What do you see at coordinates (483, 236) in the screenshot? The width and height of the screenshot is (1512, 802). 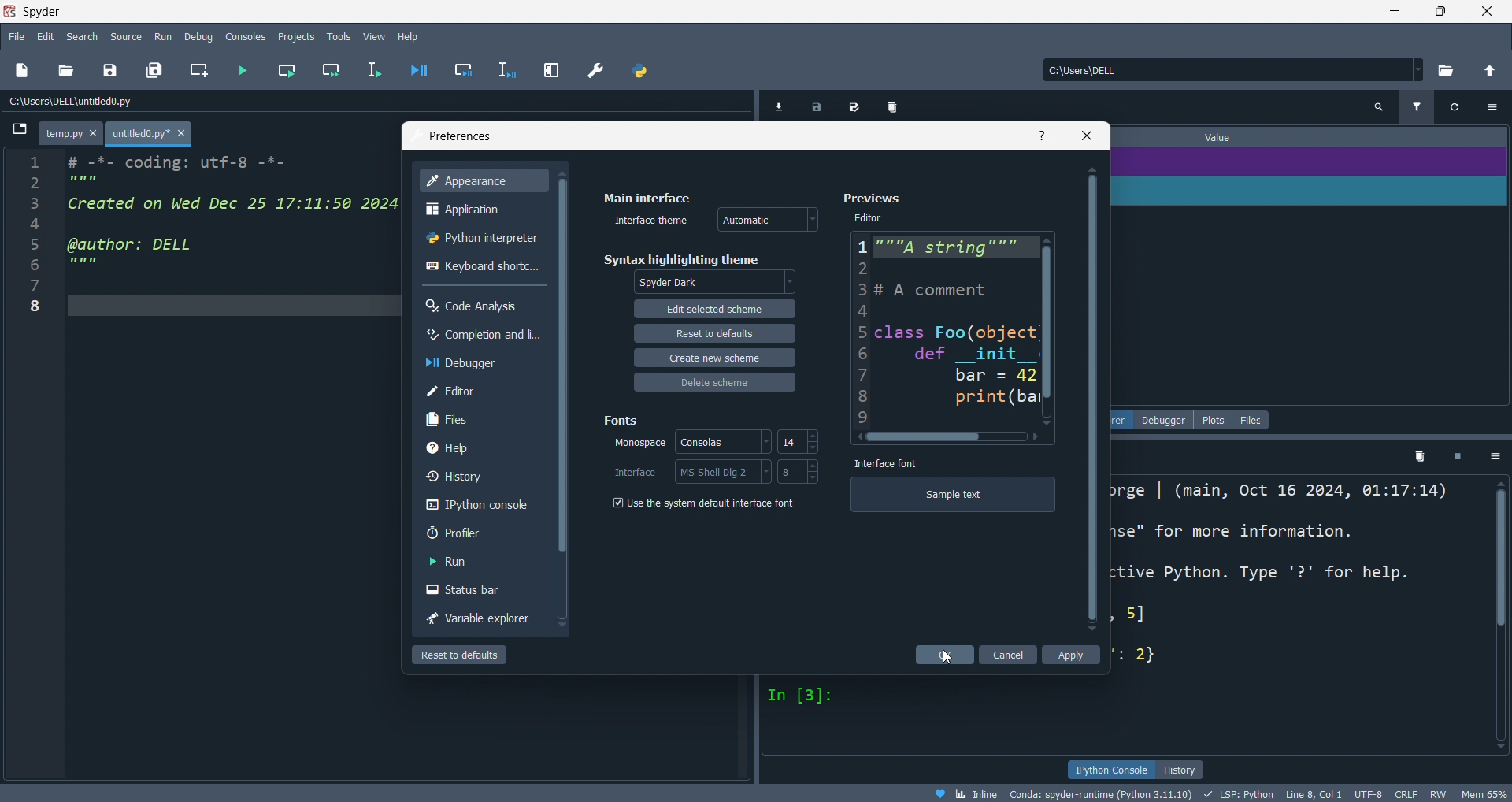 I see `python interpreter` at bounding box center [483, 236].